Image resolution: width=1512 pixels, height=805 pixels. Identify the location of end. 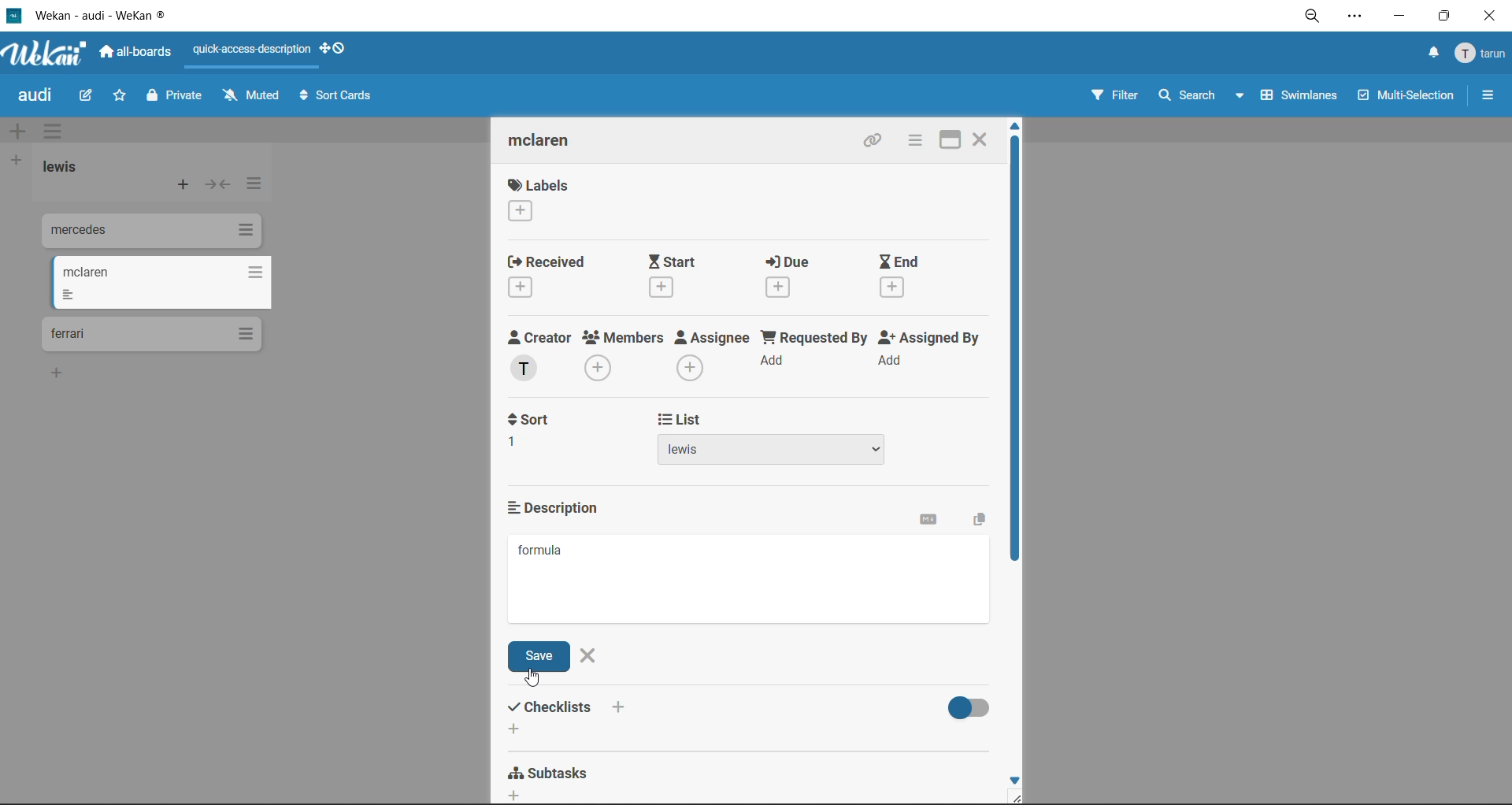
(915, 278).